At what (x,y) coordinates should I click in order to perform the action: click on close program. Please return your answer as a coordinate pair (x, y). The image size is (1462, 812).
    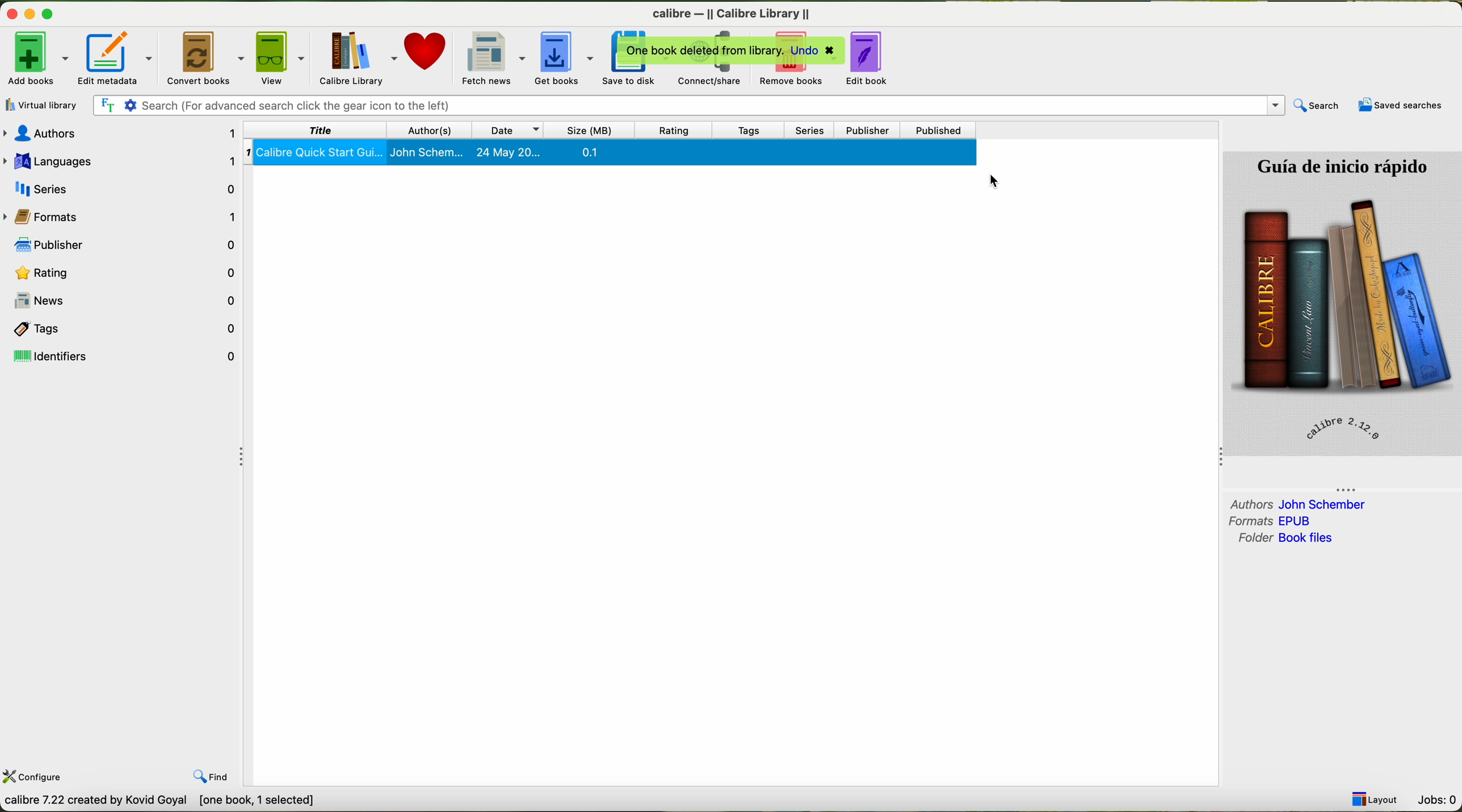
    Looking at the image, I should click on (10, 15).